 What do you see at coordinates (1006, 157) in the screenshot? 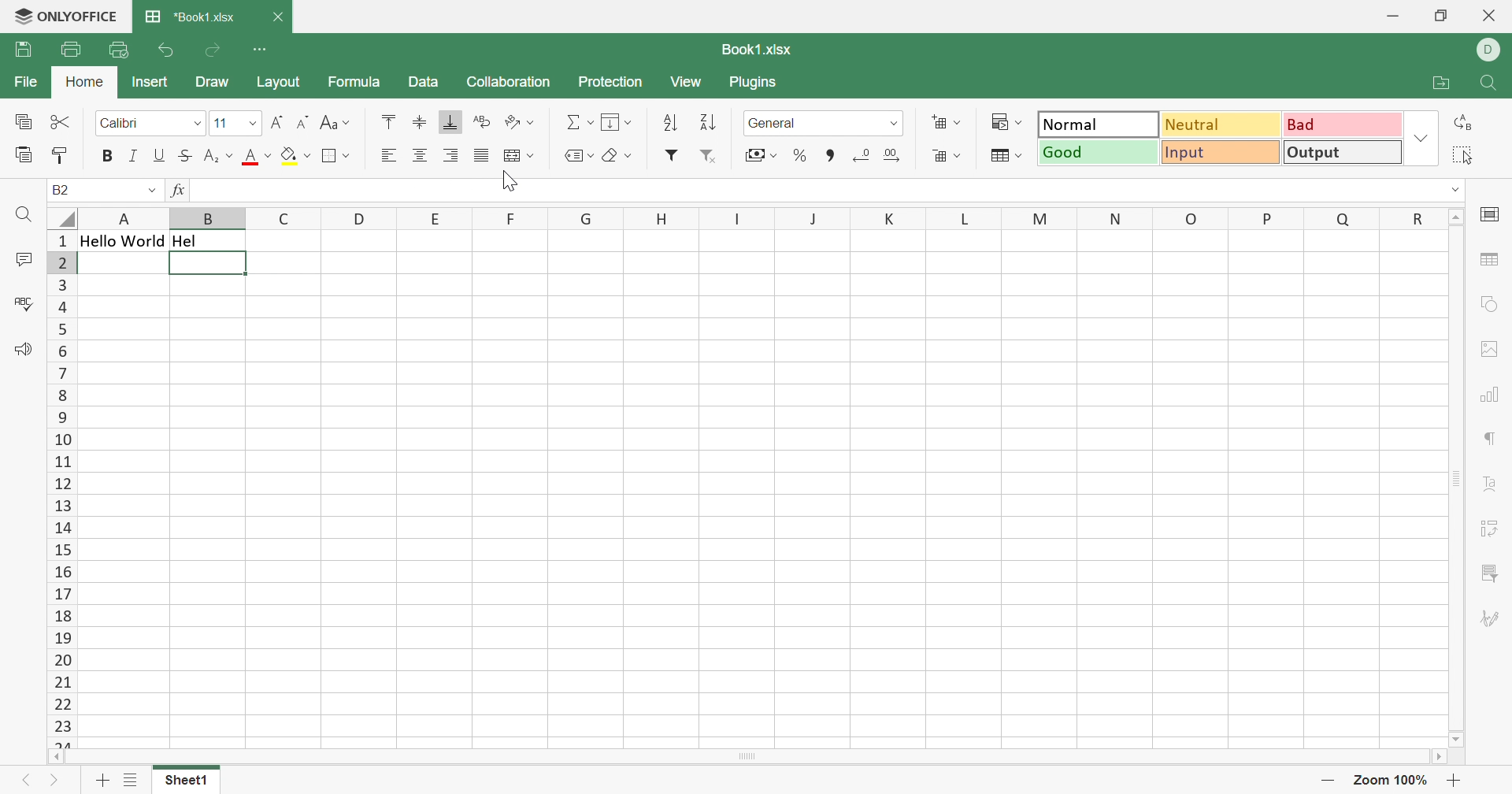
I see `Format as table template` at bounding box center [1006, 157].